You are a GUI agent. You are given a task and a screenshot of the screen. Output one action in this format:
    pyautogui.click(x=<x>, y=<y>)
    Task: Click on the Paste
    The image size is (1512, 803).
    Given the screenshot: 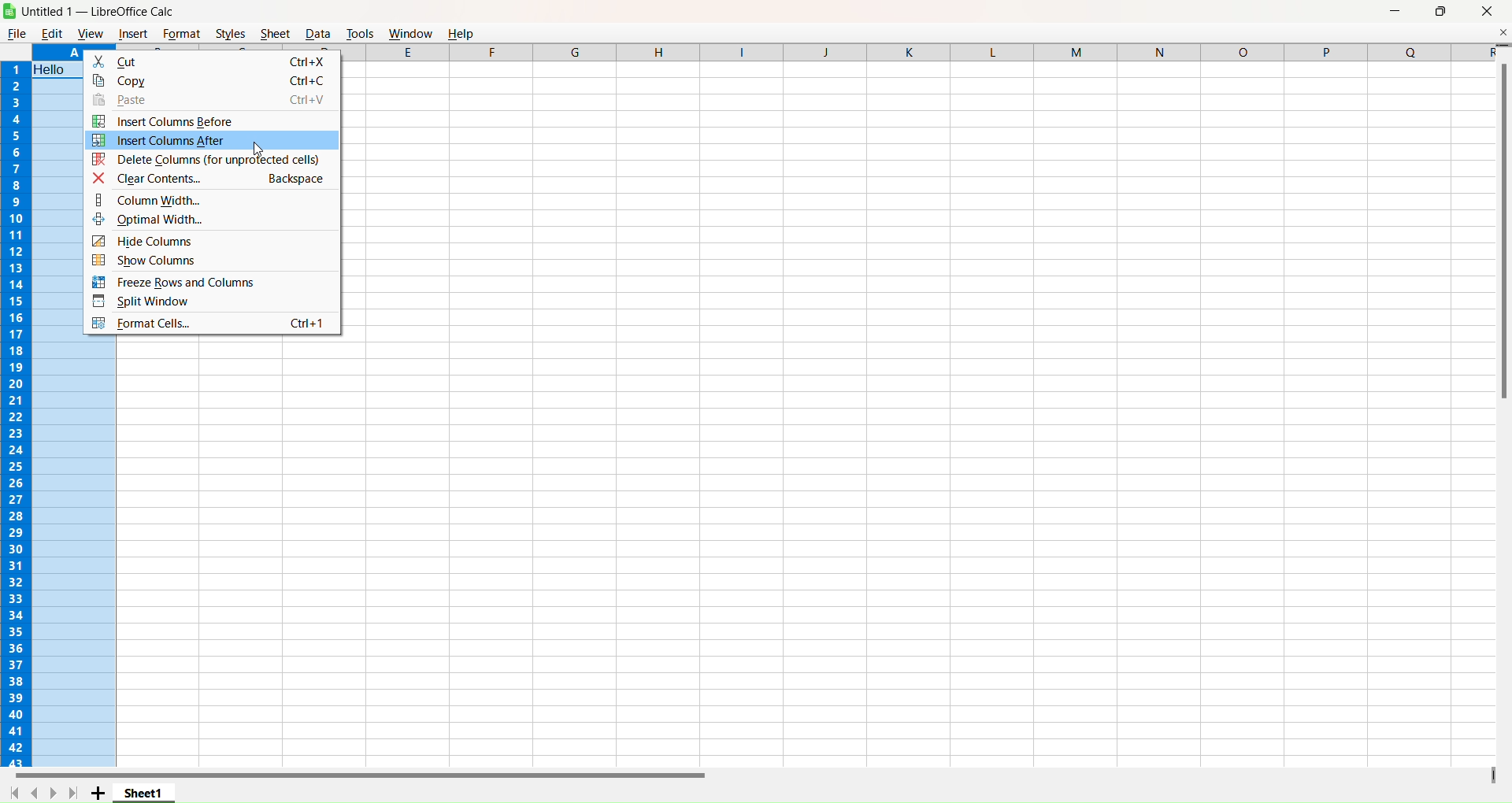 What is the action you would take?
    pyautogui.click(x=211, y=100)
    